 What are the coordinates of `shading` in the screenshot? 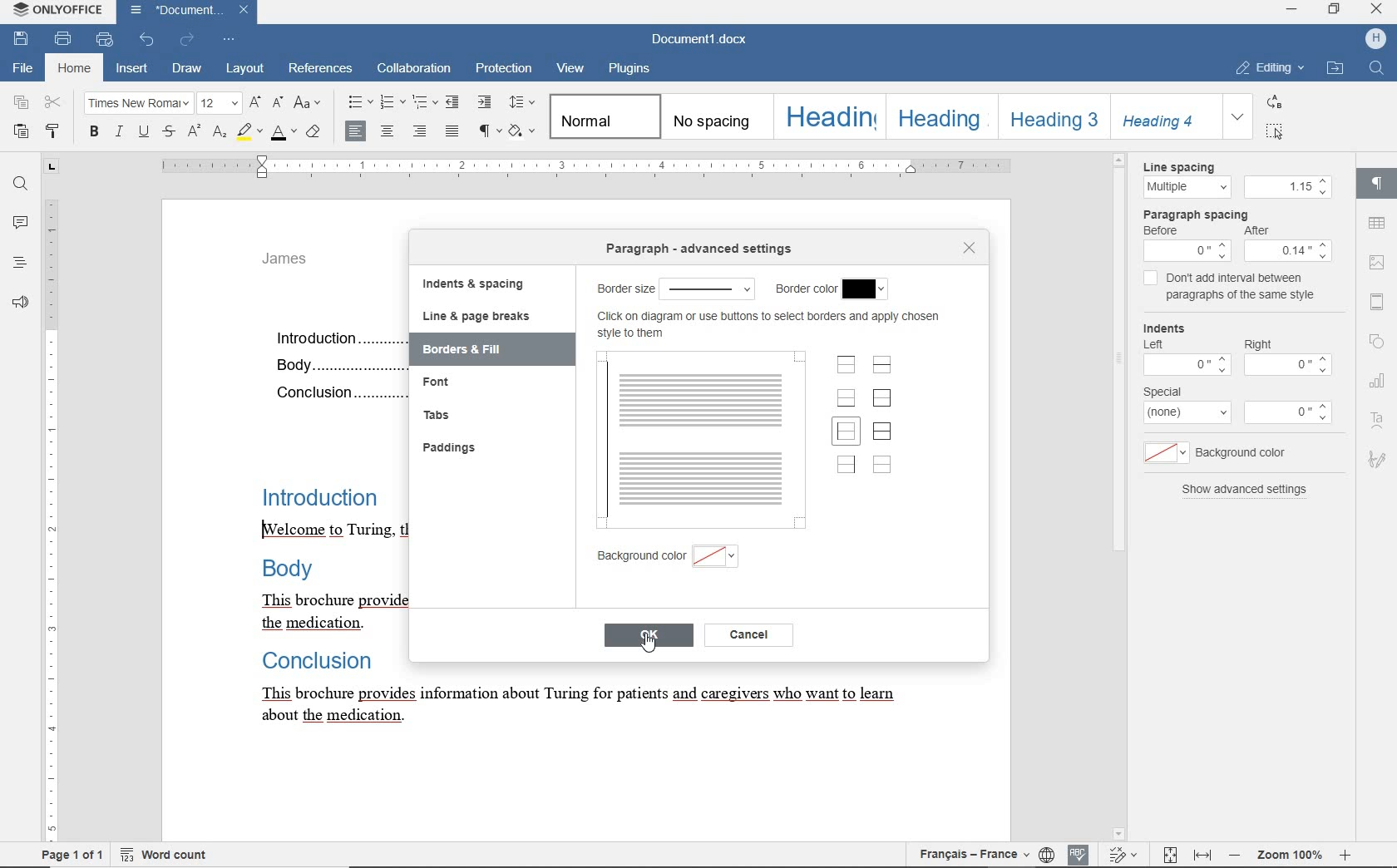 It's located at (522, 131).